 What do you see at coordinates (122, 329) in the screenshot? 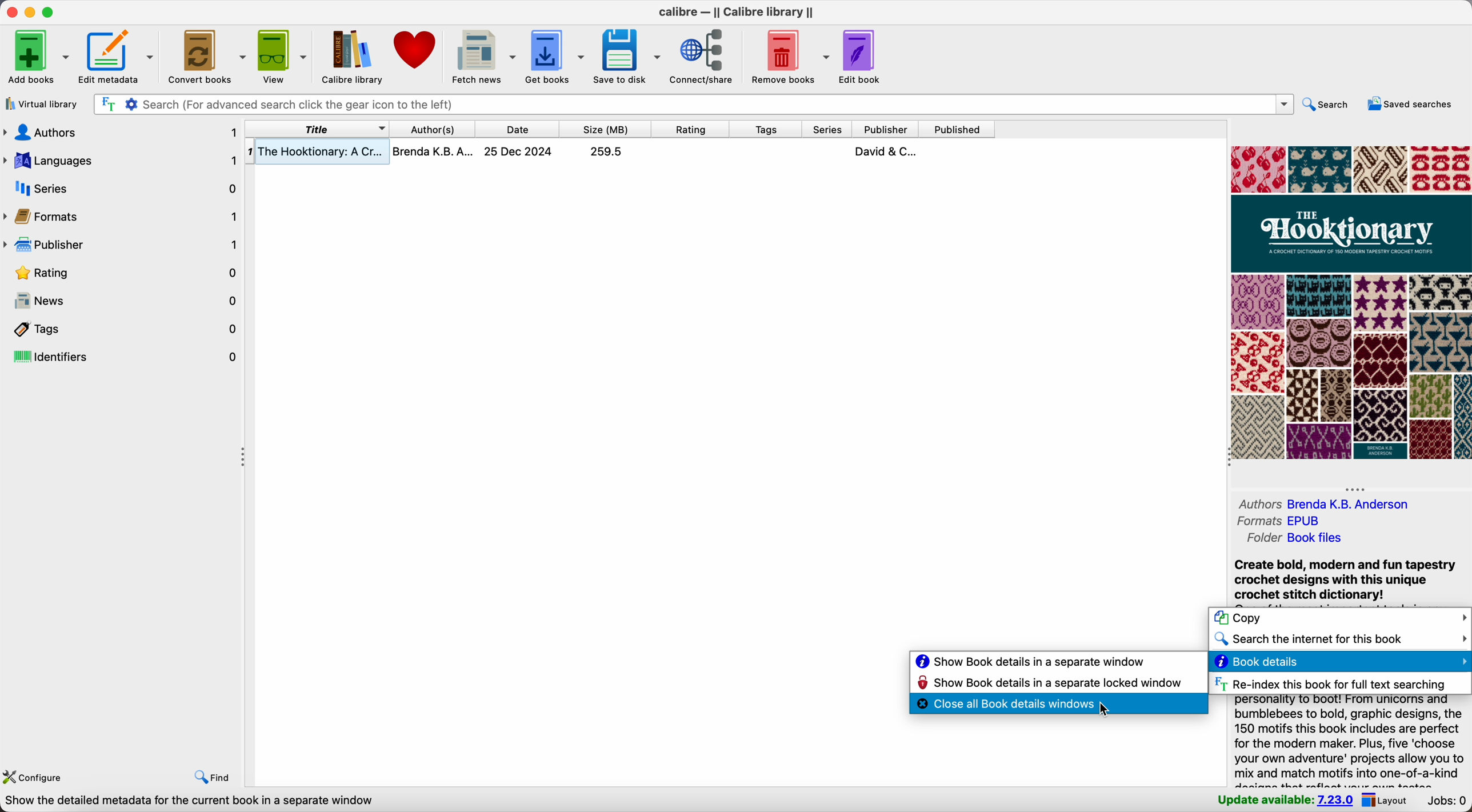
I see `tags` at bounding box center [122, 329].